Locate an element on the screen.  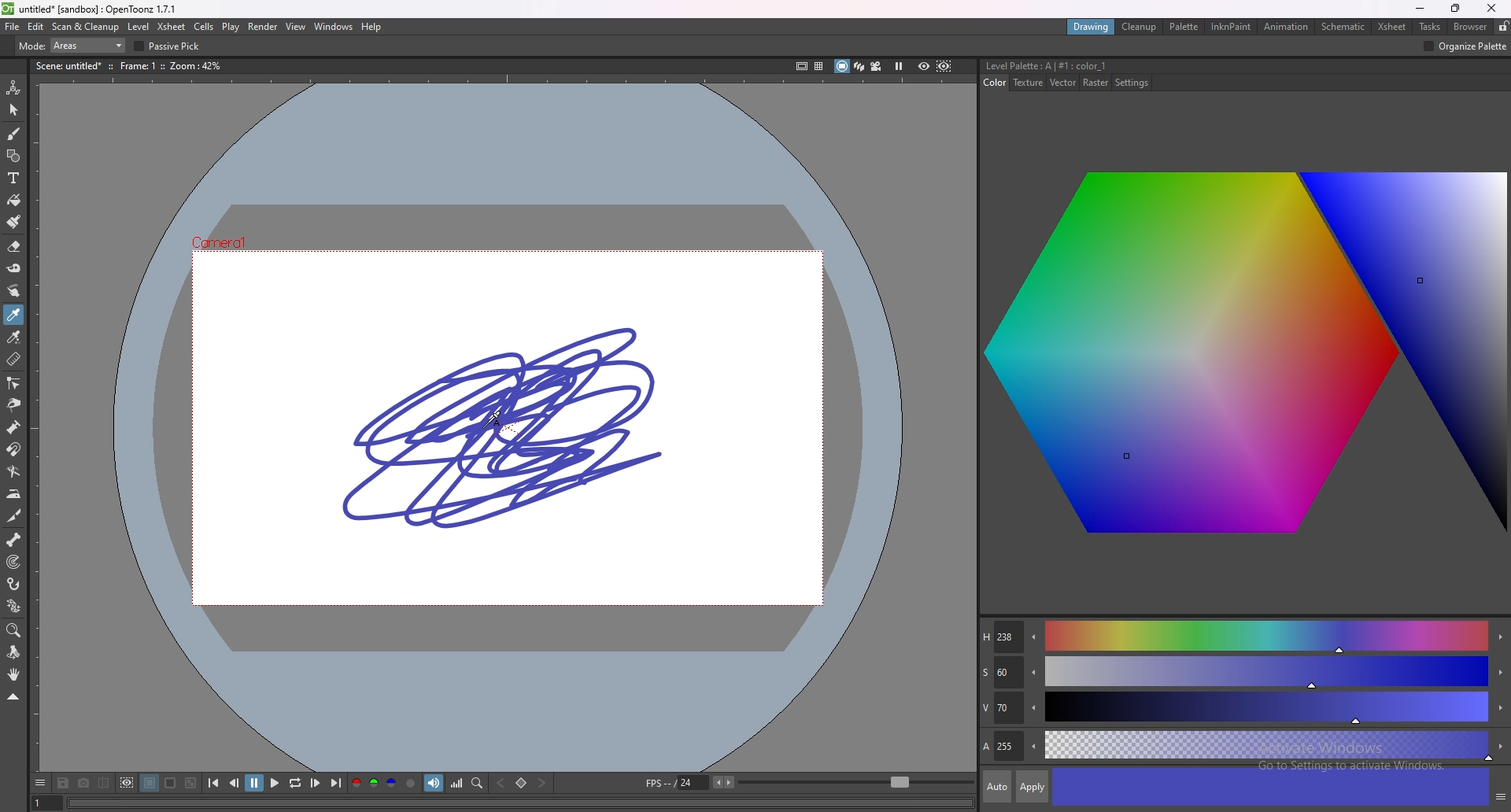
preview is located at coordinates (924, 65).